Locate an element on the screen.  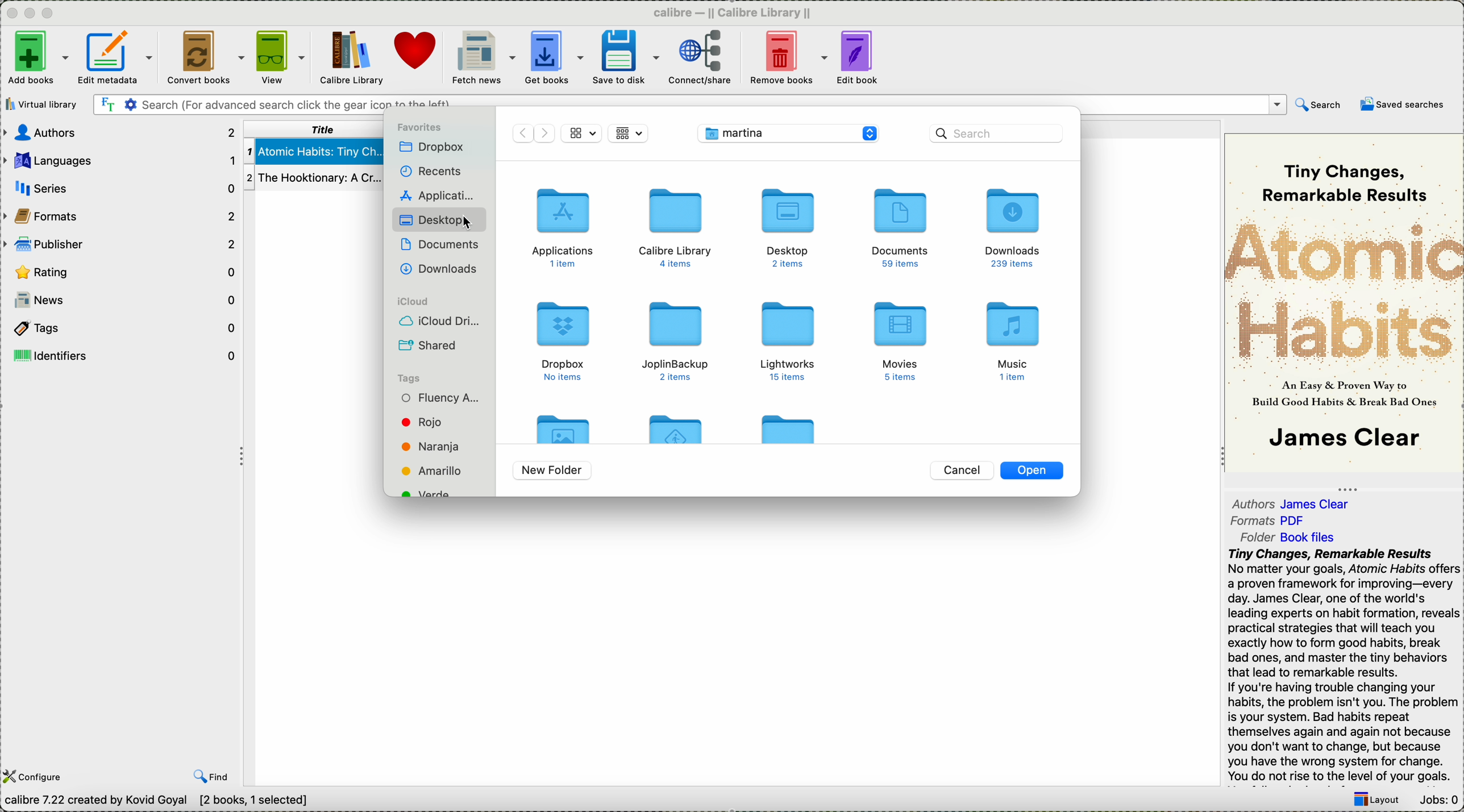
saved searches is located at coordinates (1403, 107).